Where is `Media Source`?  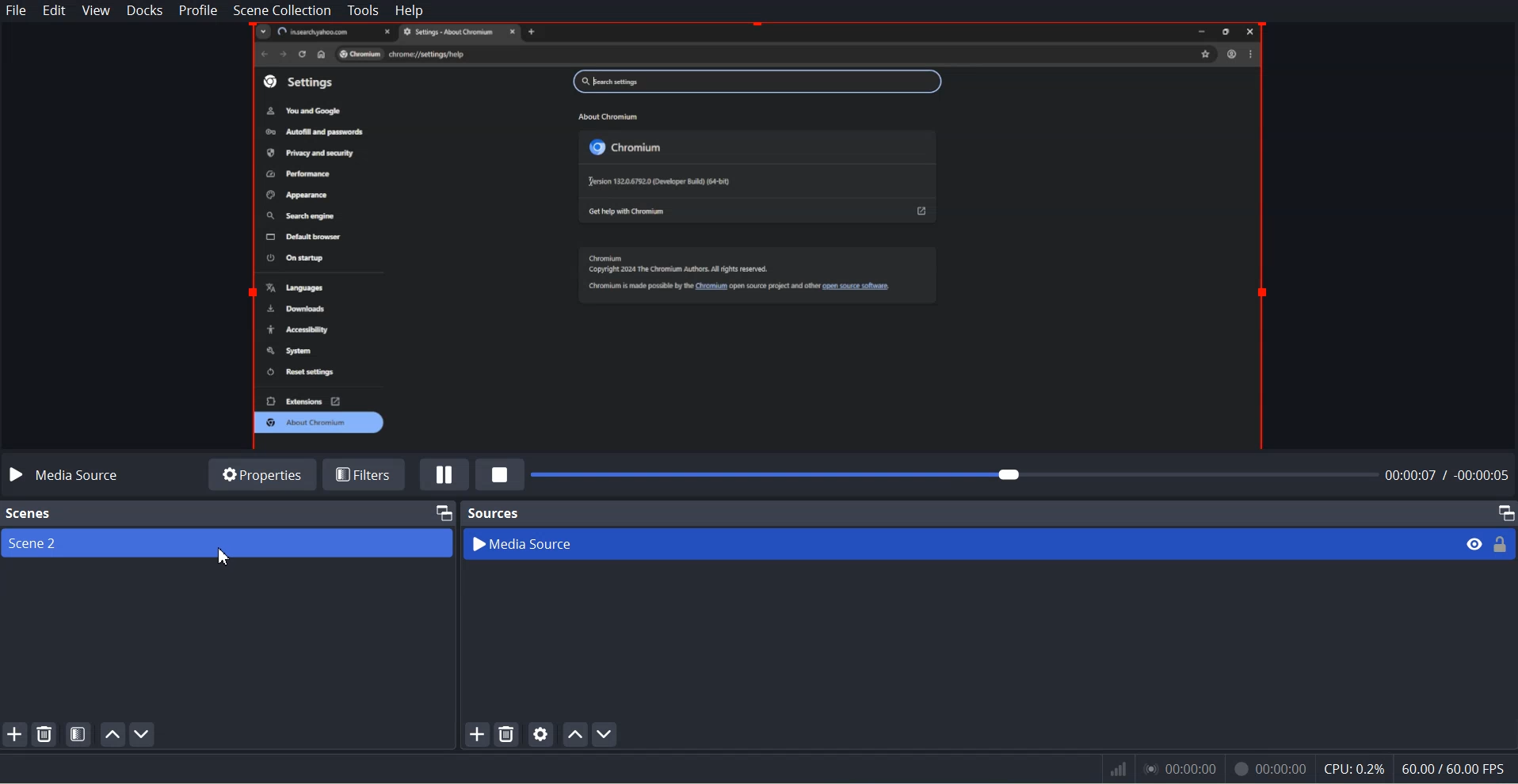
Media Source is located at coordinates (957, 543).